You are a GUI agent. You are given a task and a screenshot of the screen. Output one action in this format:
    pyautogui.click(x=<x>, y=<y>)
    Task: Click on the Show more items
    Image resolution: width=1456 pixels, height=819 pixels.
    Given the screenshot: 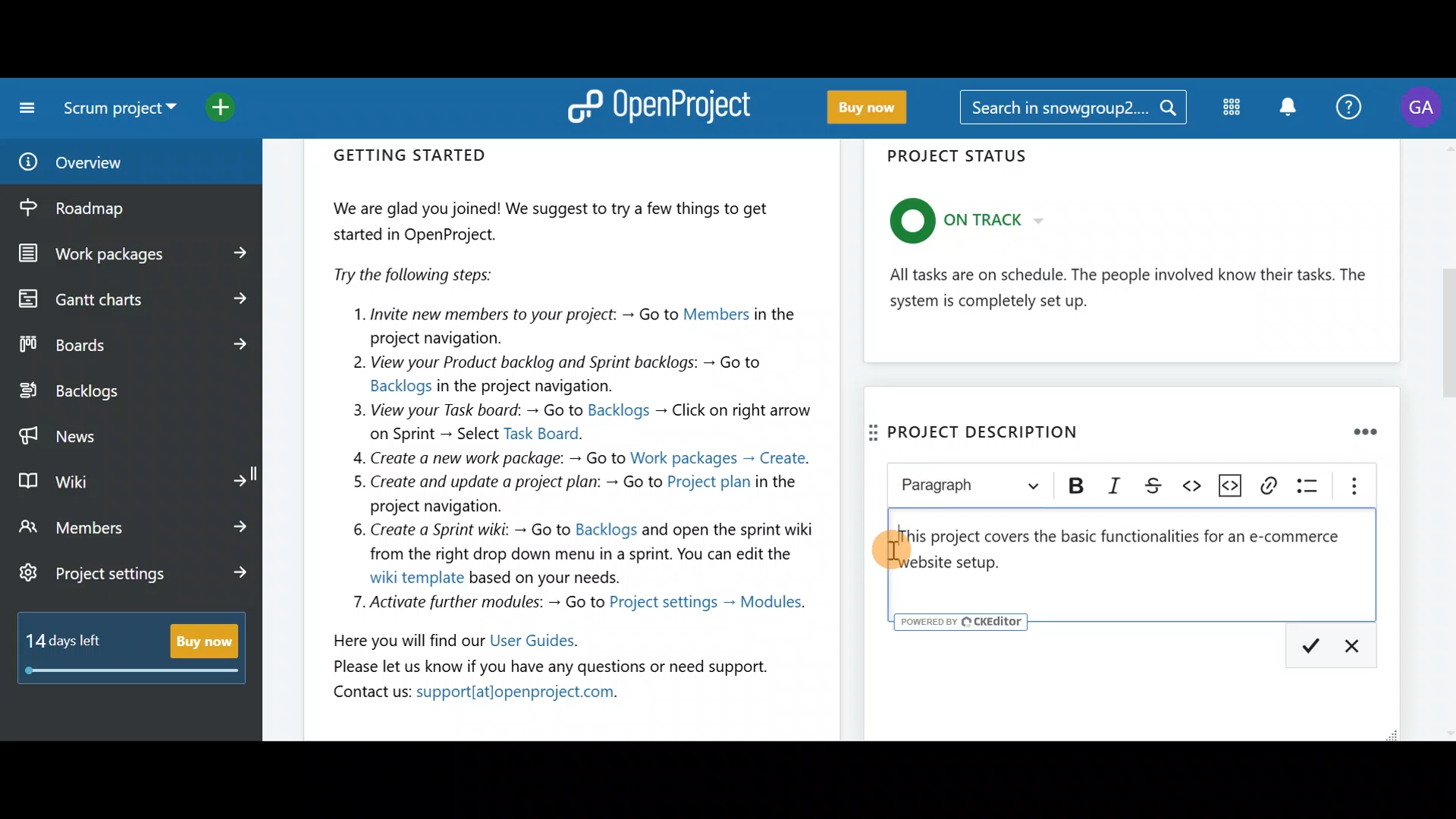 What is the action you would take?
    pyautogui.click(x=1351, y=486)
    